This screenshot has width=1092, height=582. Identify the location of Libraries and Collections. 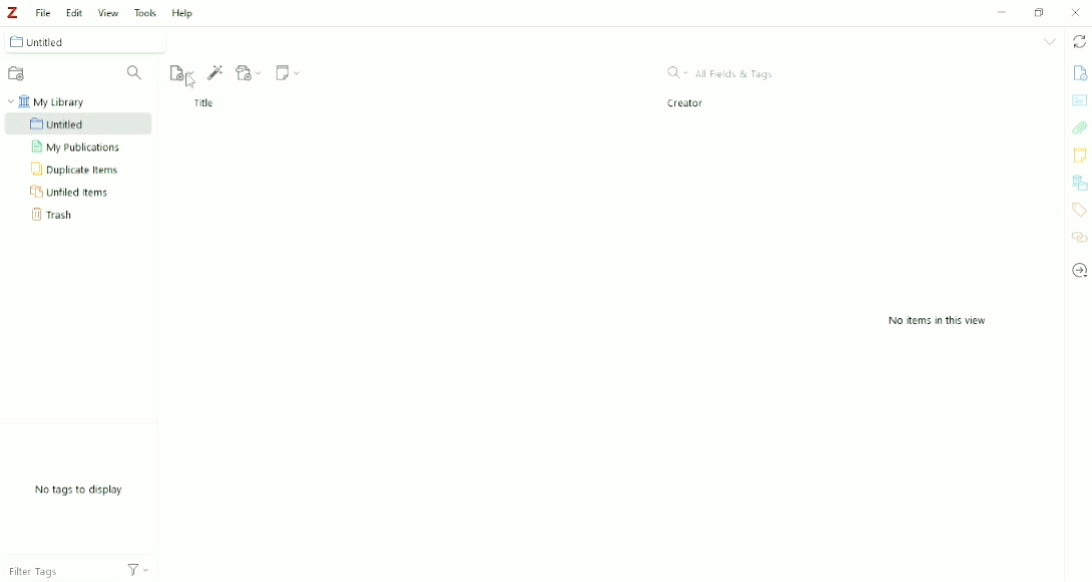
(1079, 182).